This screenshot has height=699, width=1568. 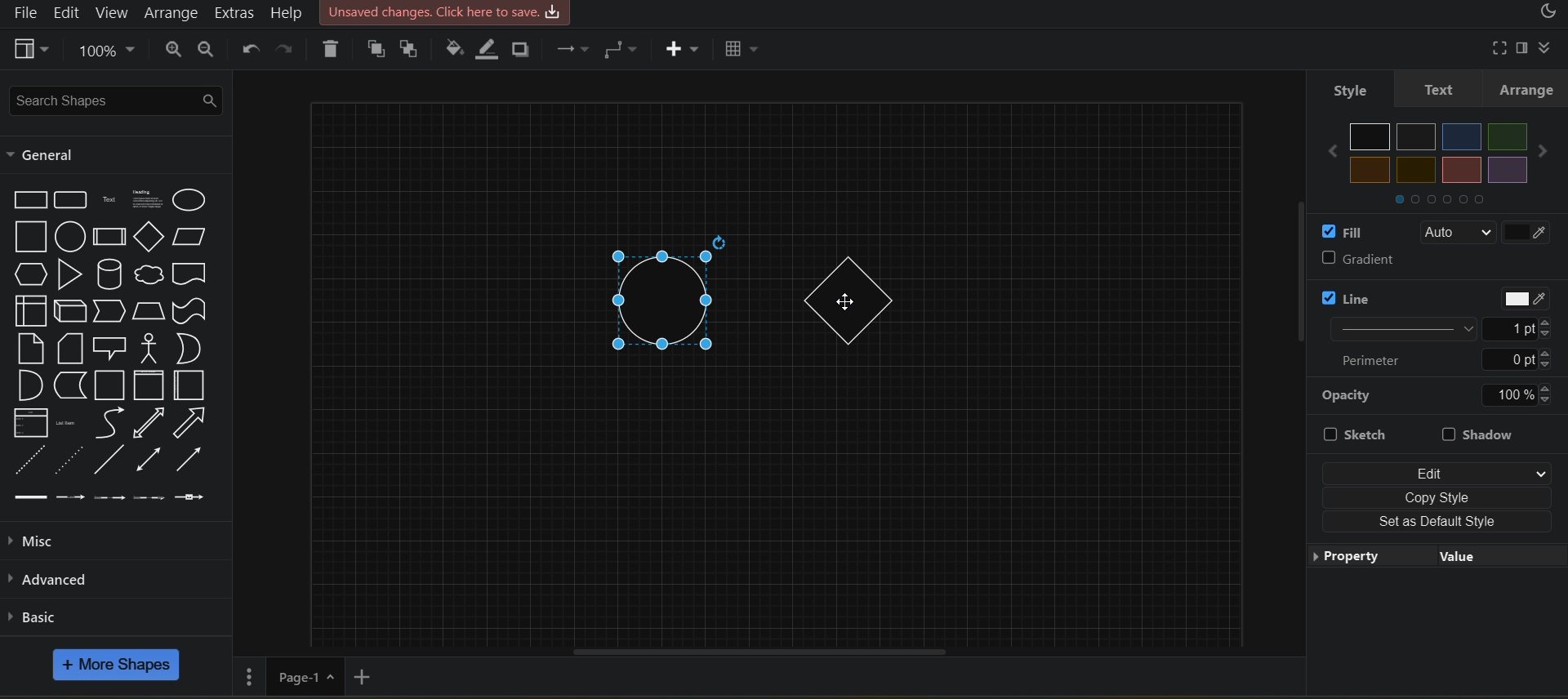 What do you see at coordinates (1463, 170) in the screenshot?
I see `` at bounding box center [1463, 170].